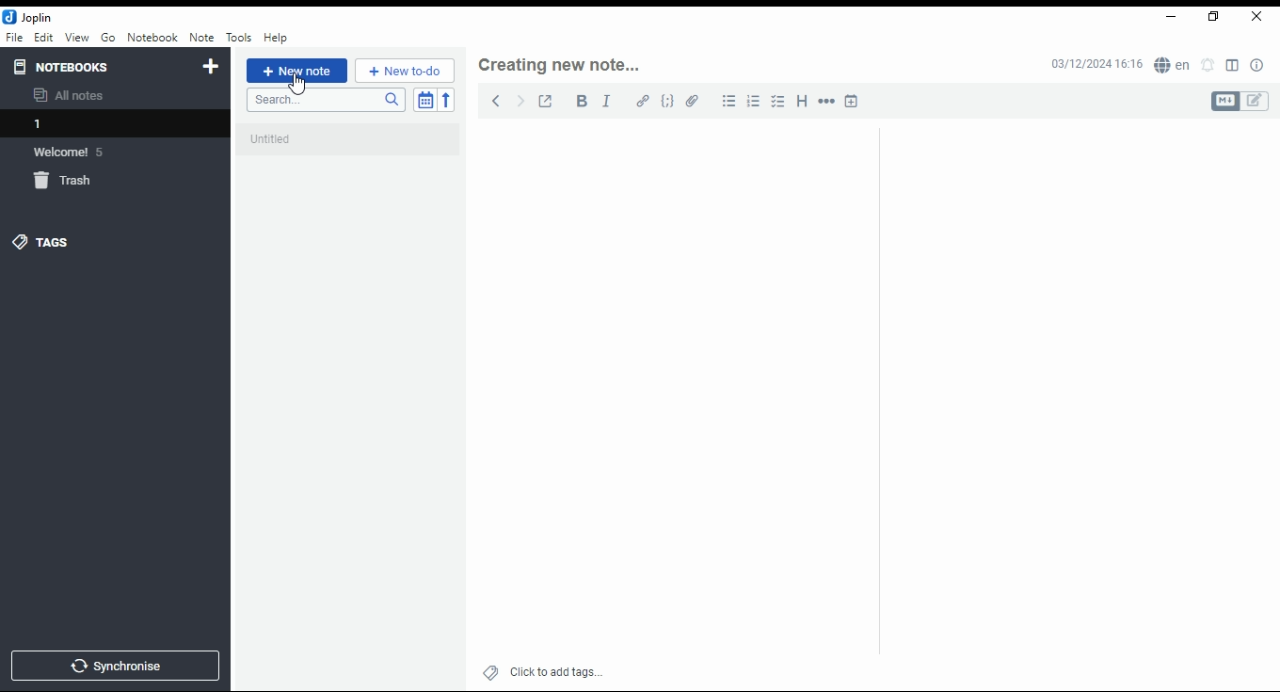 The width and height of the screenshot is (1280, 692). Describe the element at coordinates (297, 71) in the screenshot. I see `new note` at that location.